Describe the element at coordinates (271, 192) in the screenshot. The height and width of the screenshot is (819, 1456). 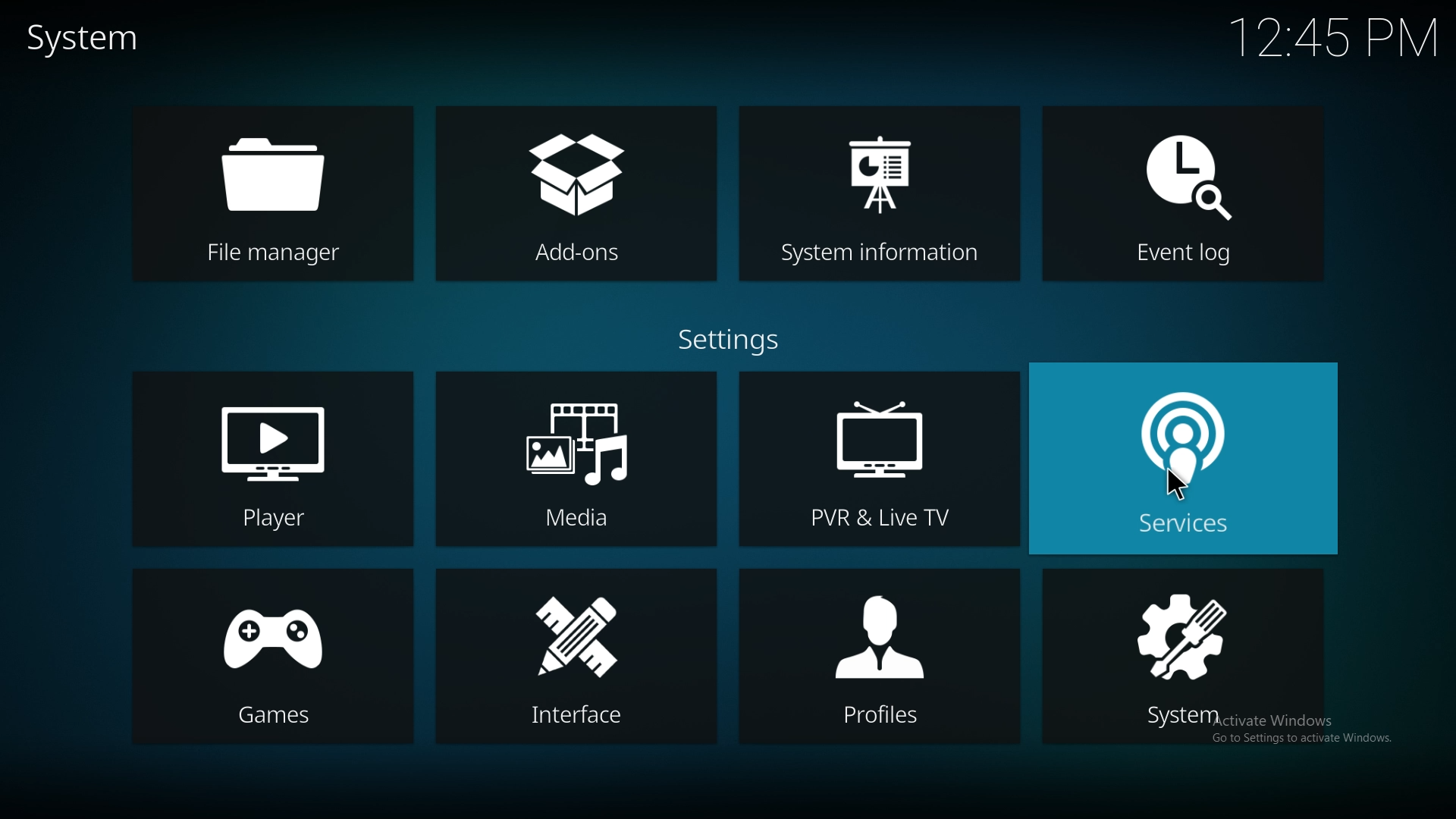
I see `file manager` at that location.